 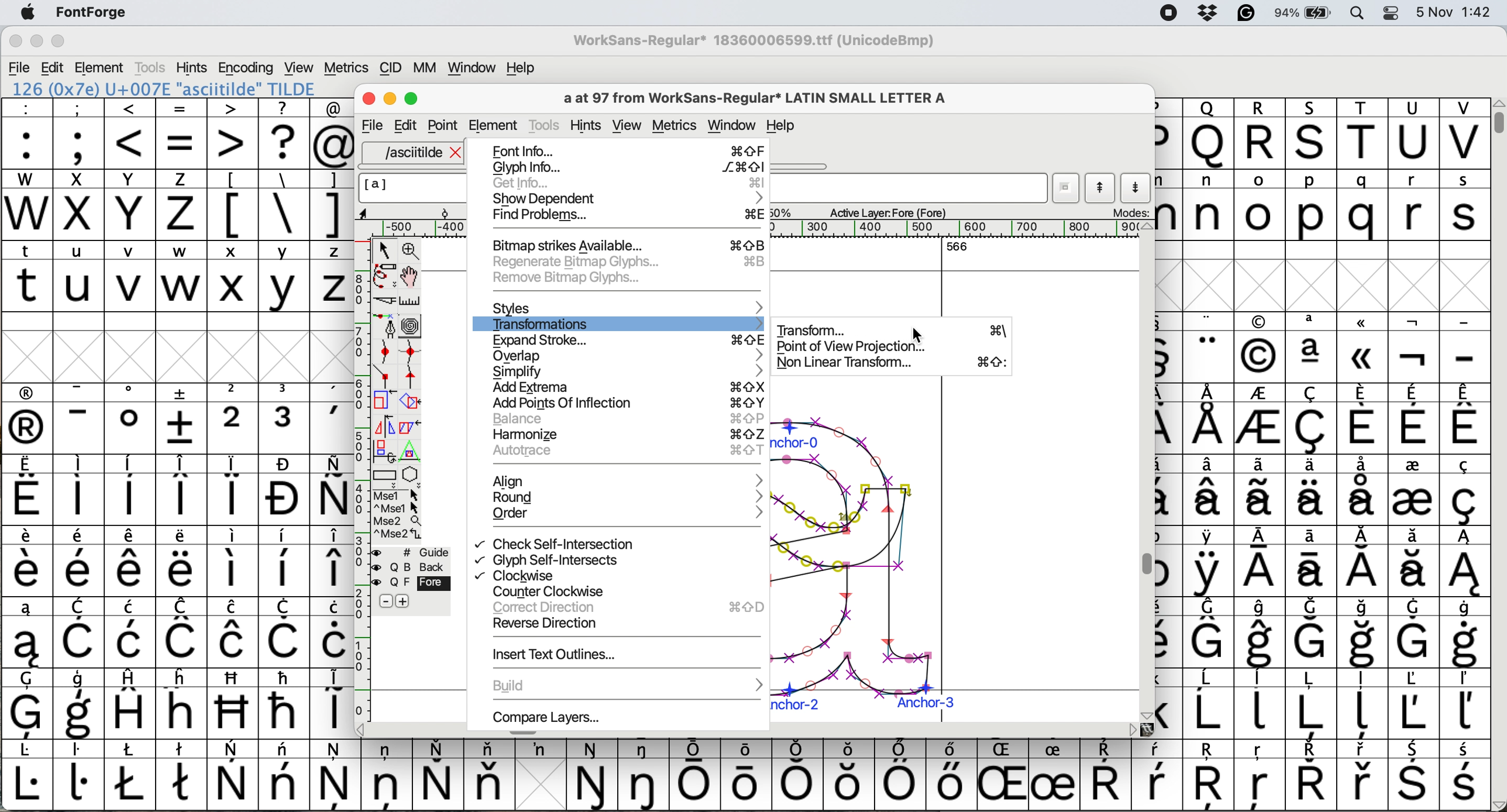 I want to click on window, so click(x=469, y=68).